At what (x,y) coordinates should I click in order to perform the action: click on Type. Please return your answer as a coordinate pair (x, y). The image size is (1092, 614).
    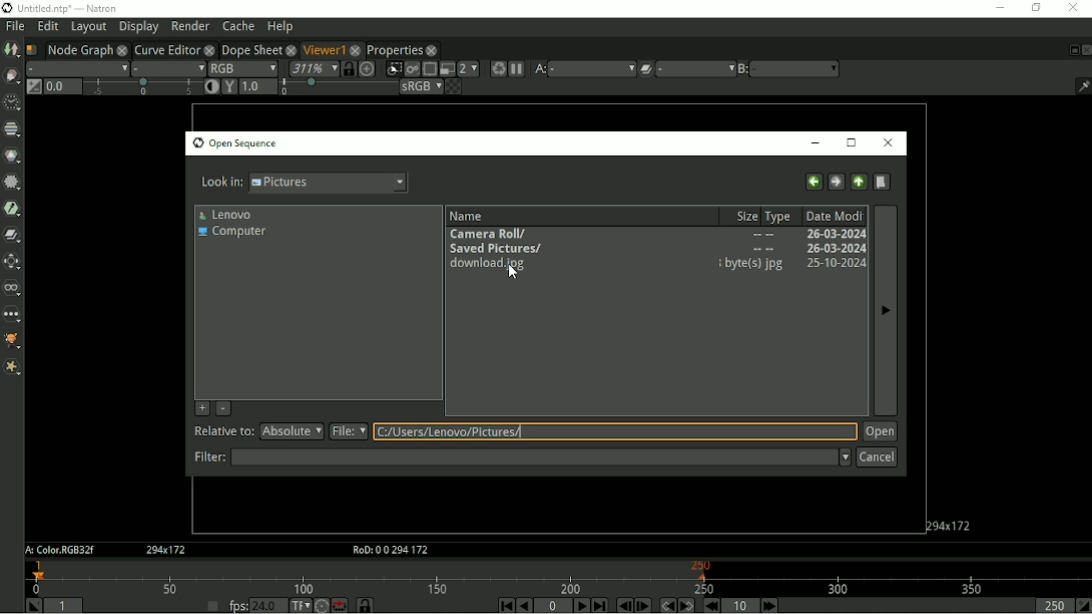
    Looking at the image, I should click on (779, 216).